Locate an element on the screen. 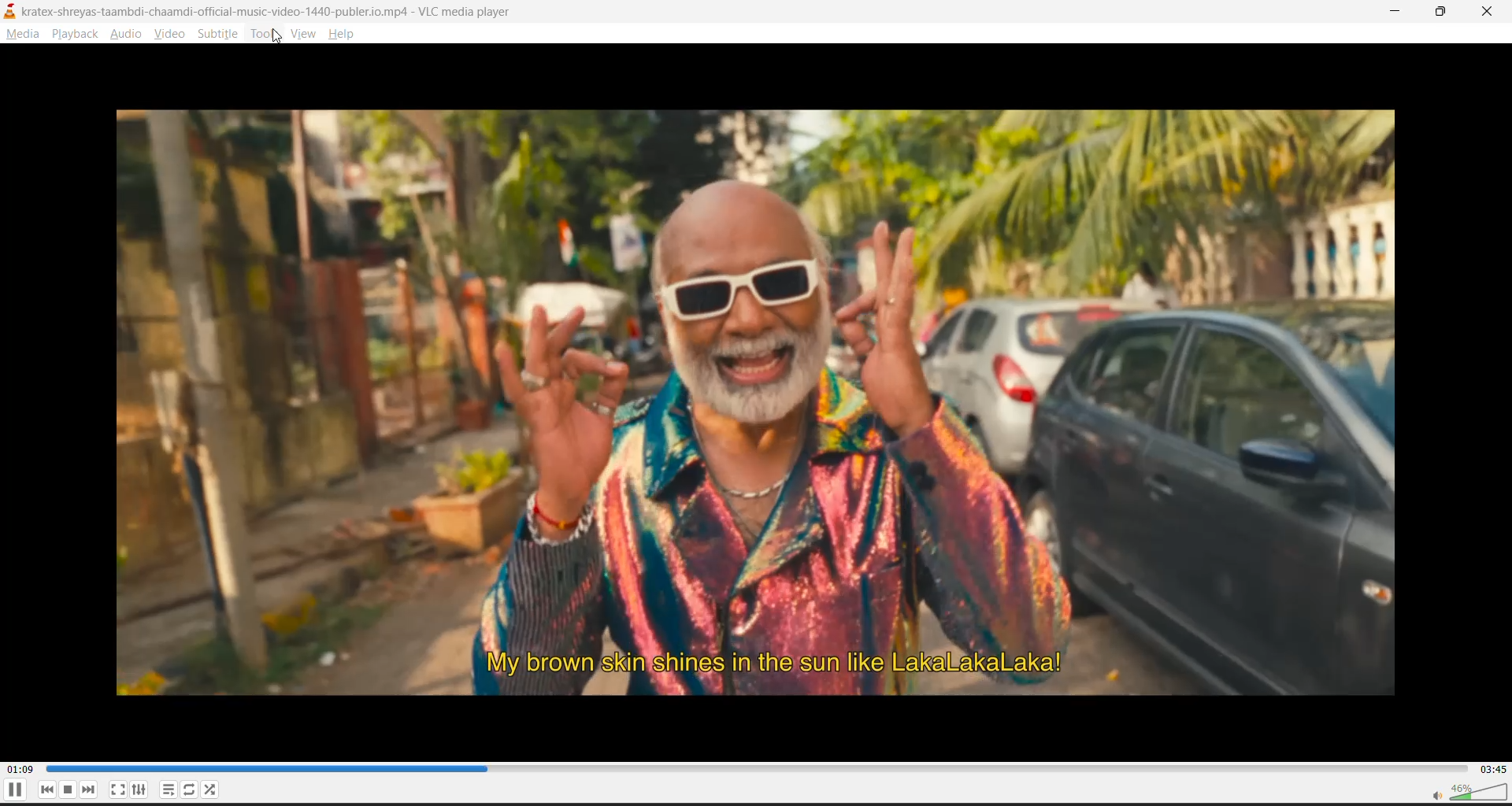 The width and height of the screenshot is (1512, 806). settings is located at coordinates (145, 789).